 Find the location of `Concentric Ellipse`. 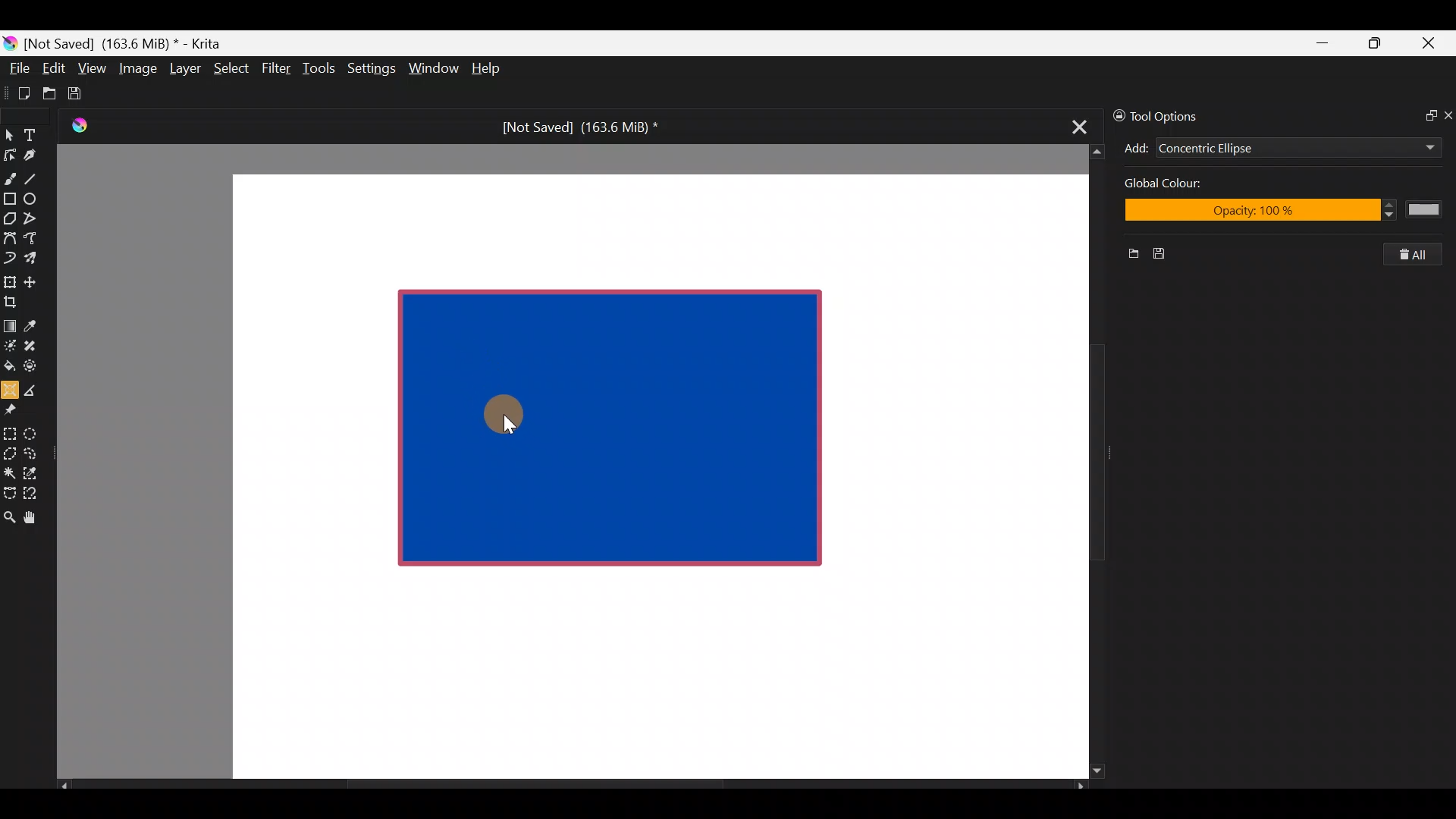

Concentric Ellipse is located at coordinates (1253, 149).